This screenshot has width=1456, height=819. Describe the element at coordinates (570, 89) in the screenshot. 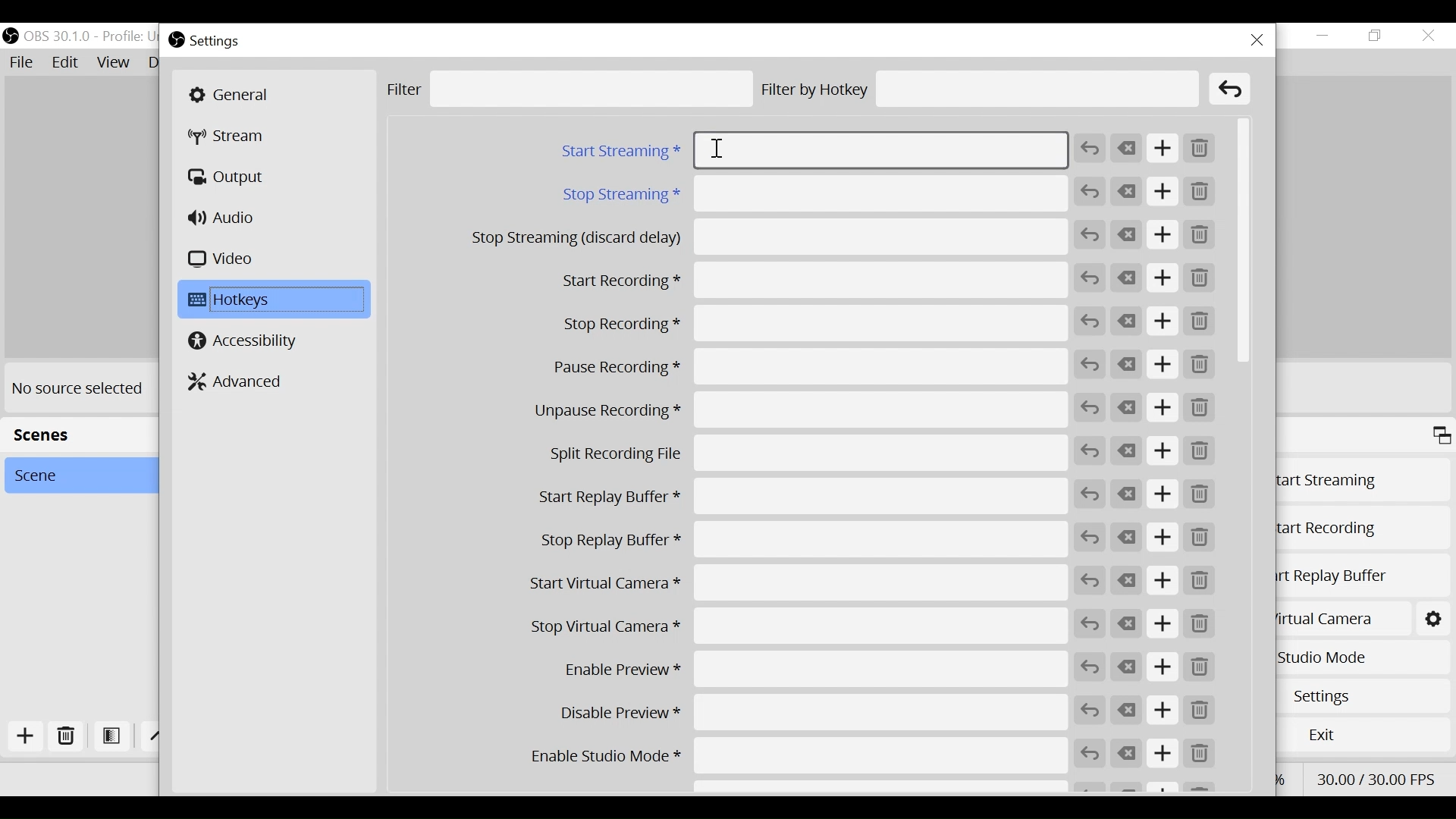

I see `Filter` at that location.